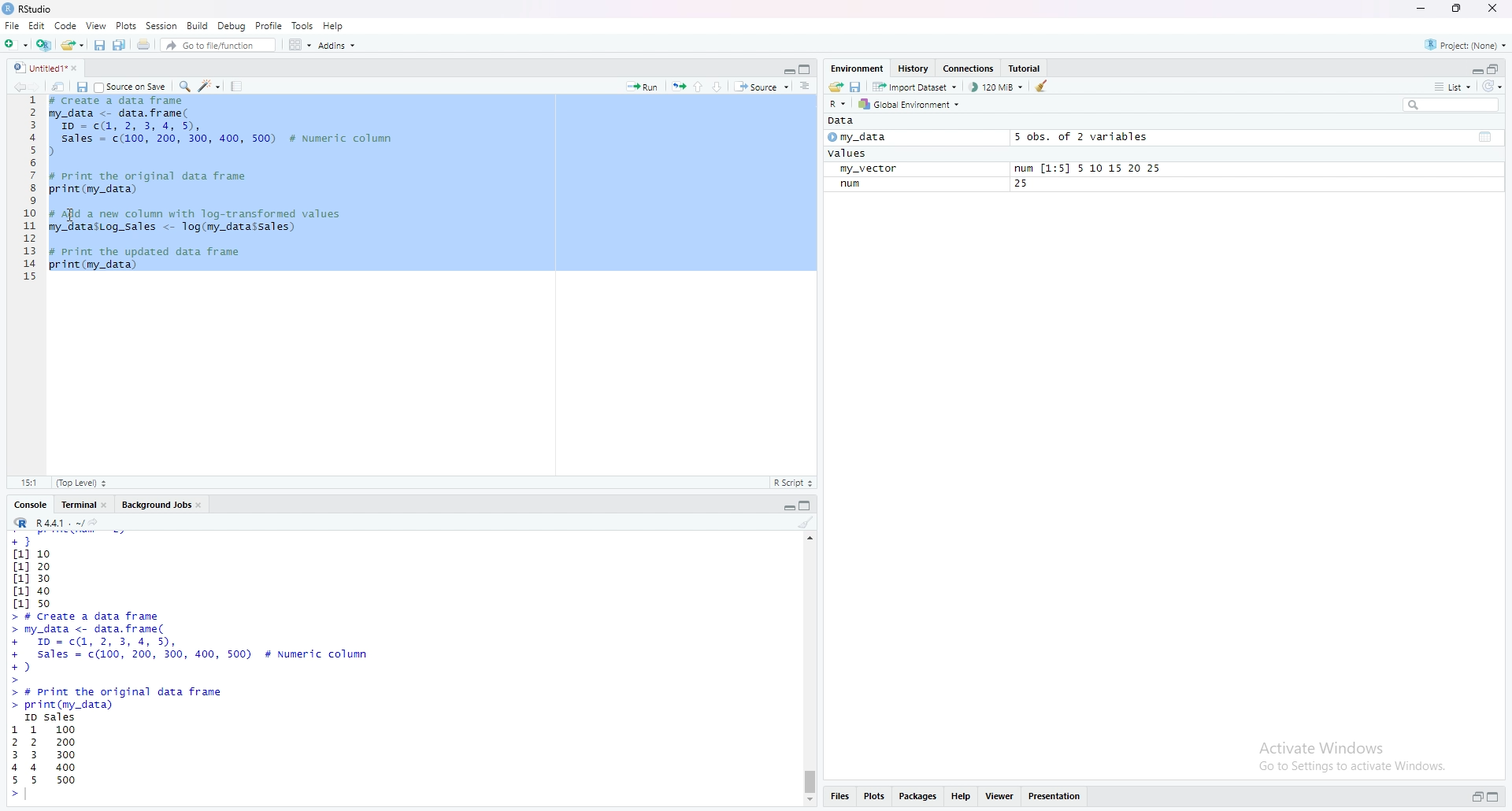 The height and width of the screenshot is (811, 1512). Describe the element at coordinates (1058, 799) in the screenshot. I see `presentation` at that location.